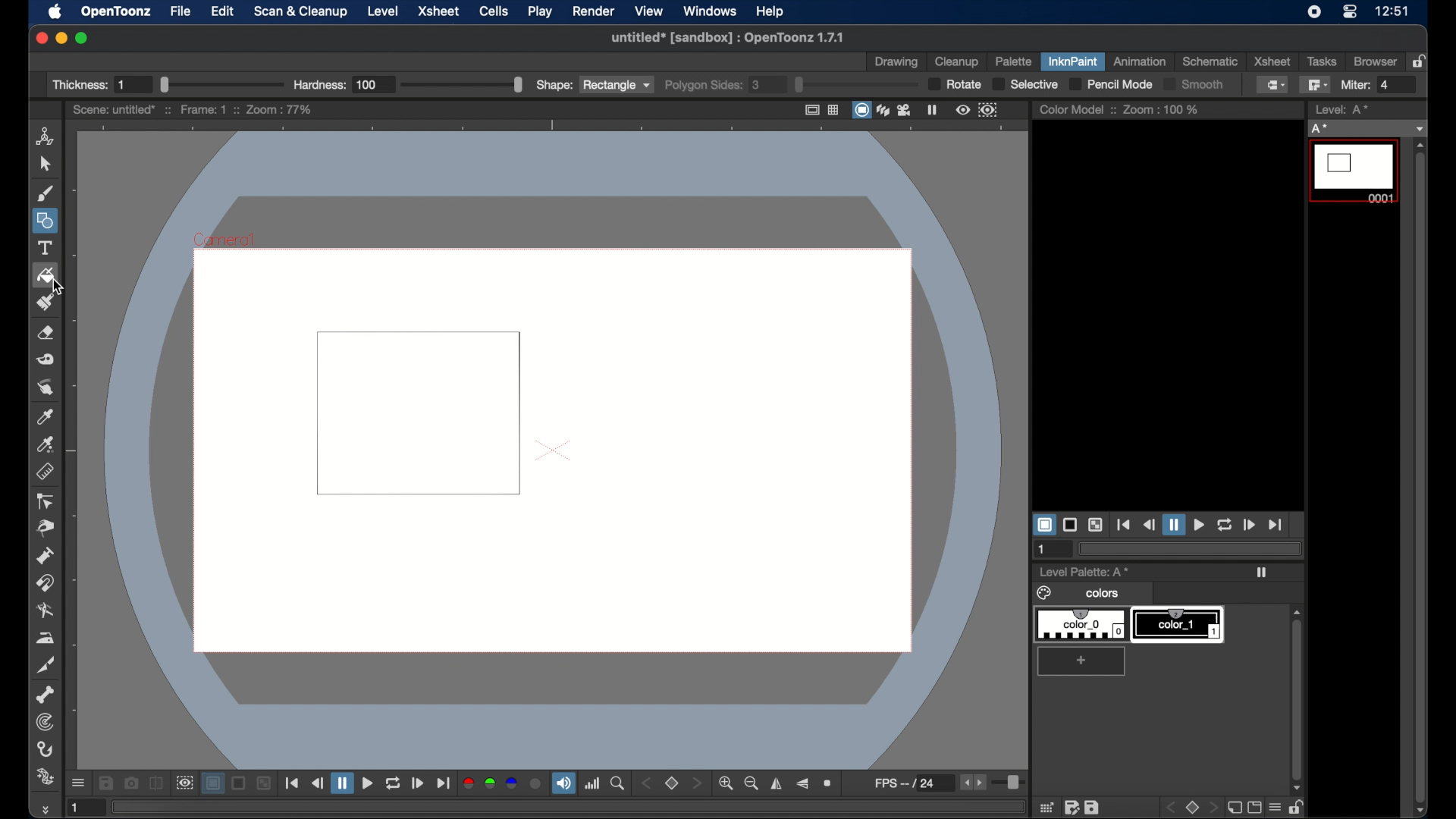 The image size is (1456, 819). What do you see at coordinates (913, 783) in the screenshot?
I see `fps` at bounding box center [913, 783].